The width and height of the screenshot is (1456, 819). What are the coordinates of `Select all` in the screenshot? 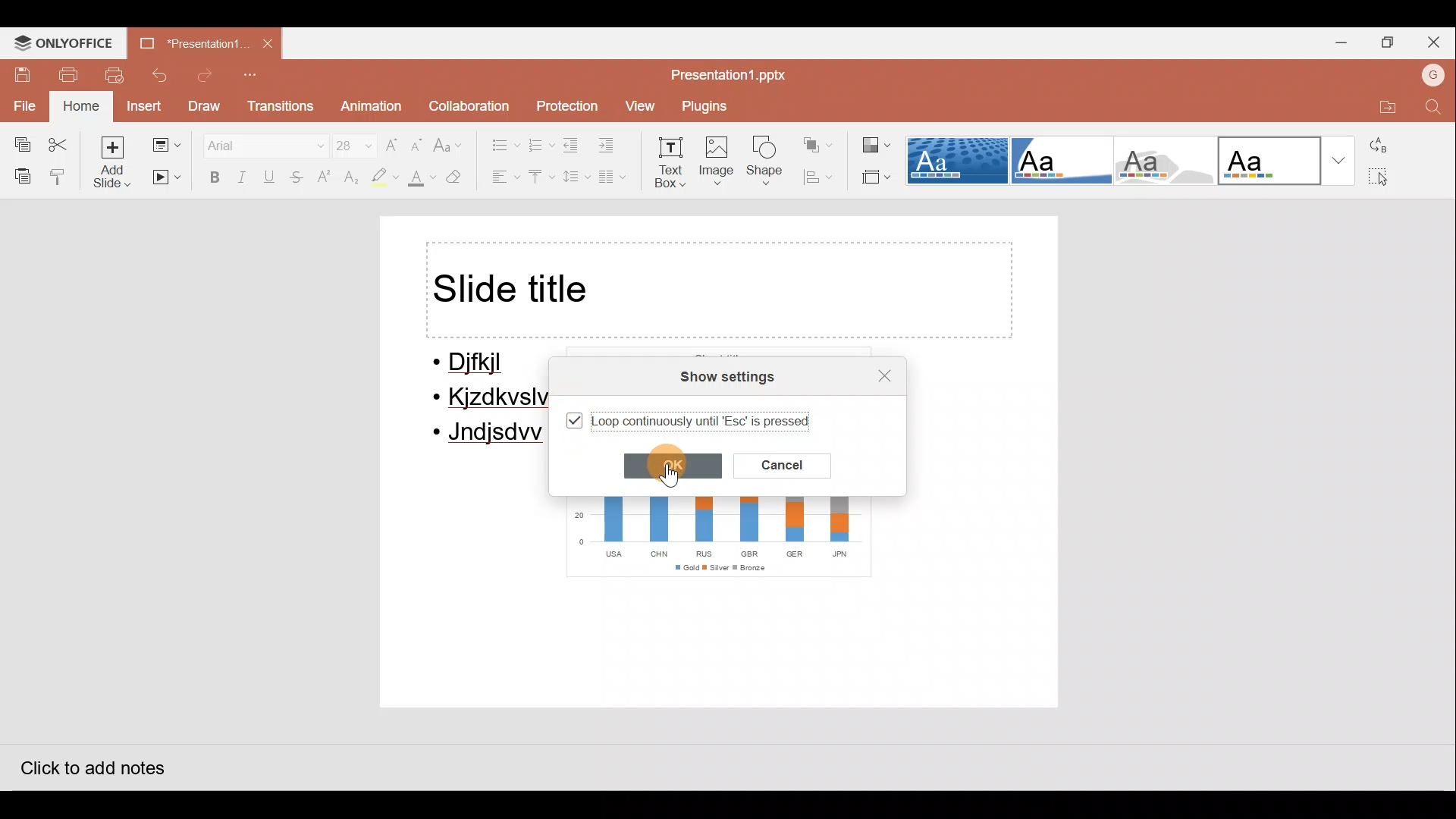 It's located at (1386, 178).